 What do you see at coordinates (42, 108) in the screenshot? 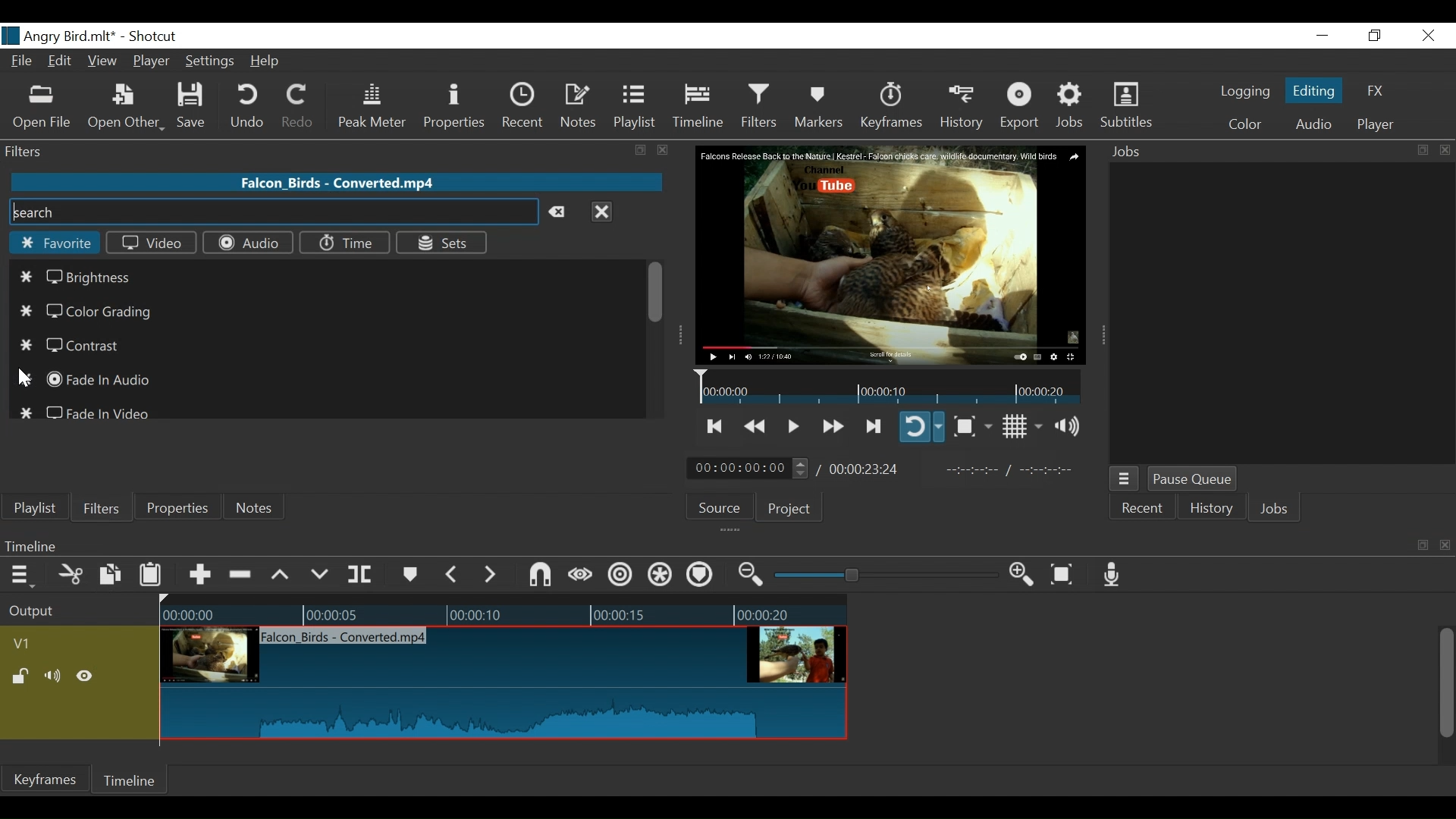
I see `Open File` at bounding box center [42, 108].